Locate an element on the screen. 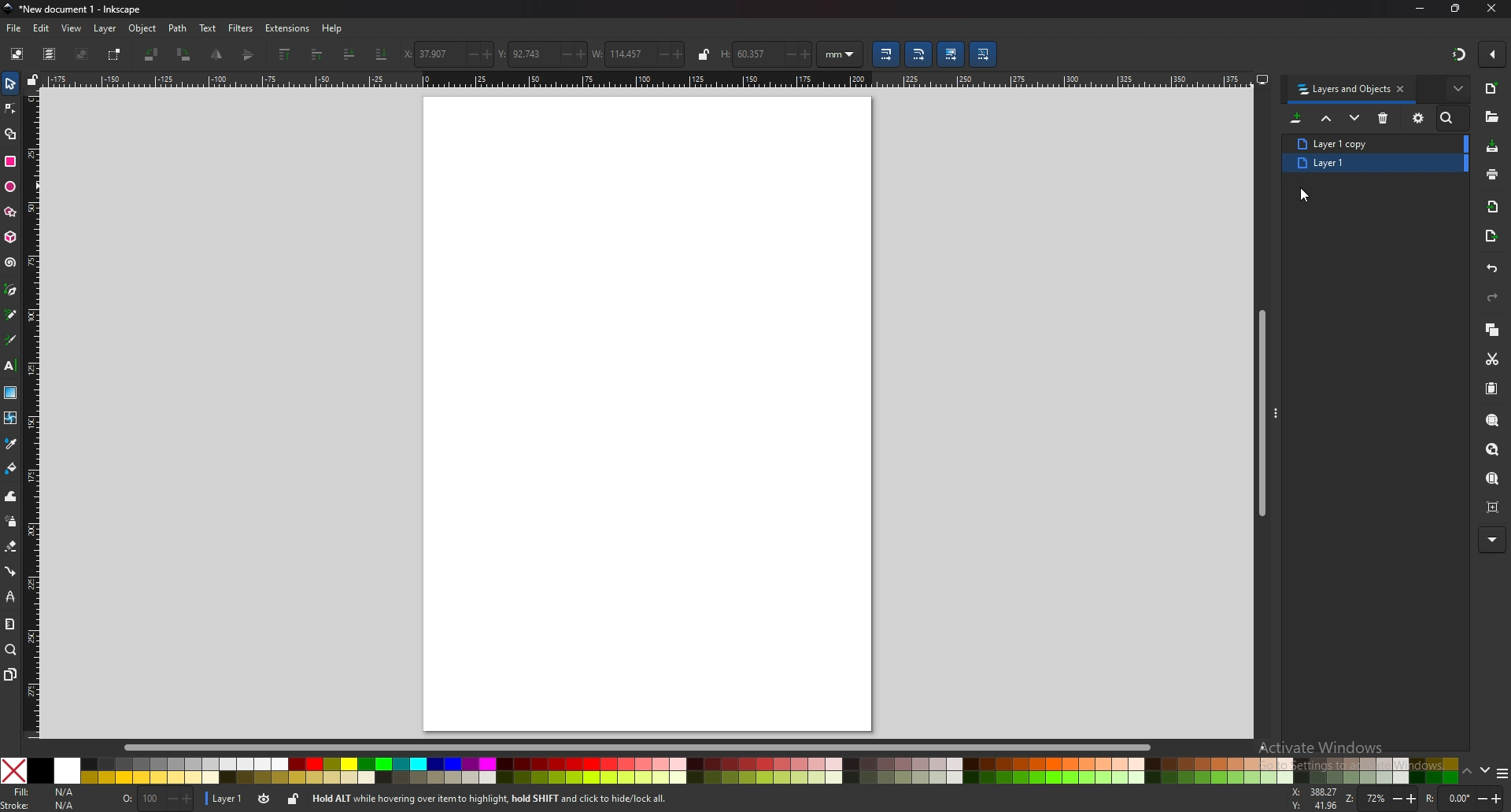 The image size is (1511, 812). page is located at coordinates (648, 414).